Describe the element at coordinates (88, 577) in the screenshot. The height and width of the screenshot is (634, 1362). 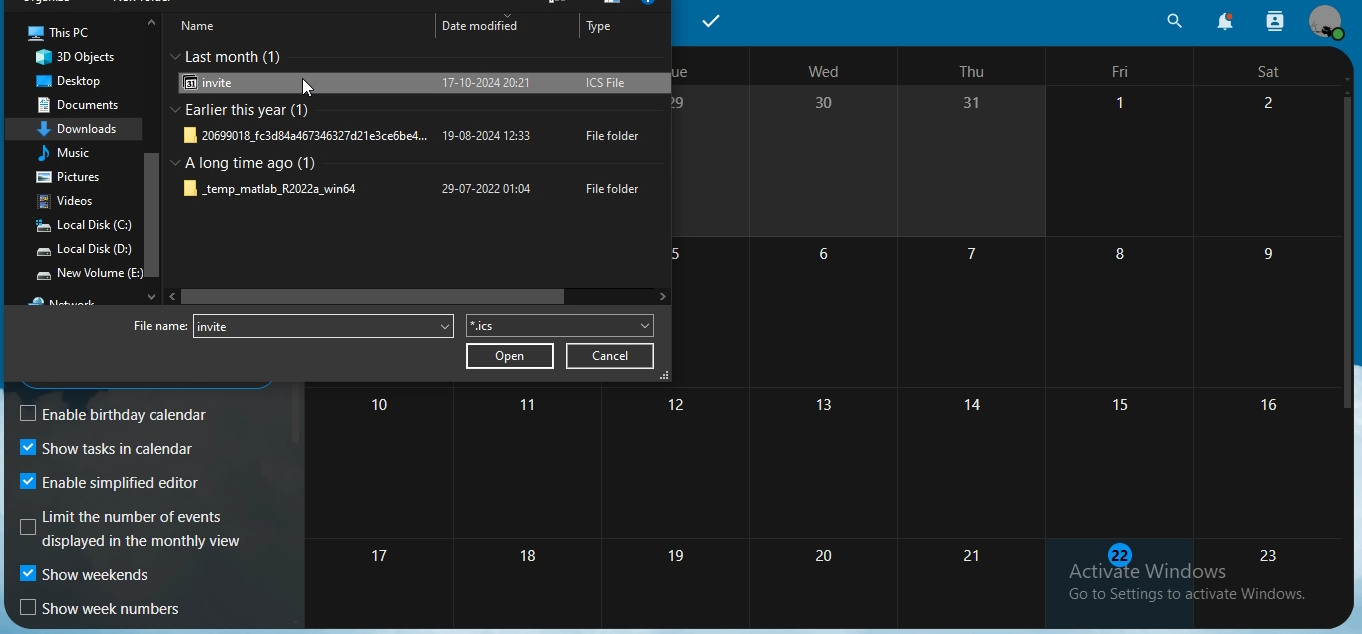
I see `show weekends` at that location.